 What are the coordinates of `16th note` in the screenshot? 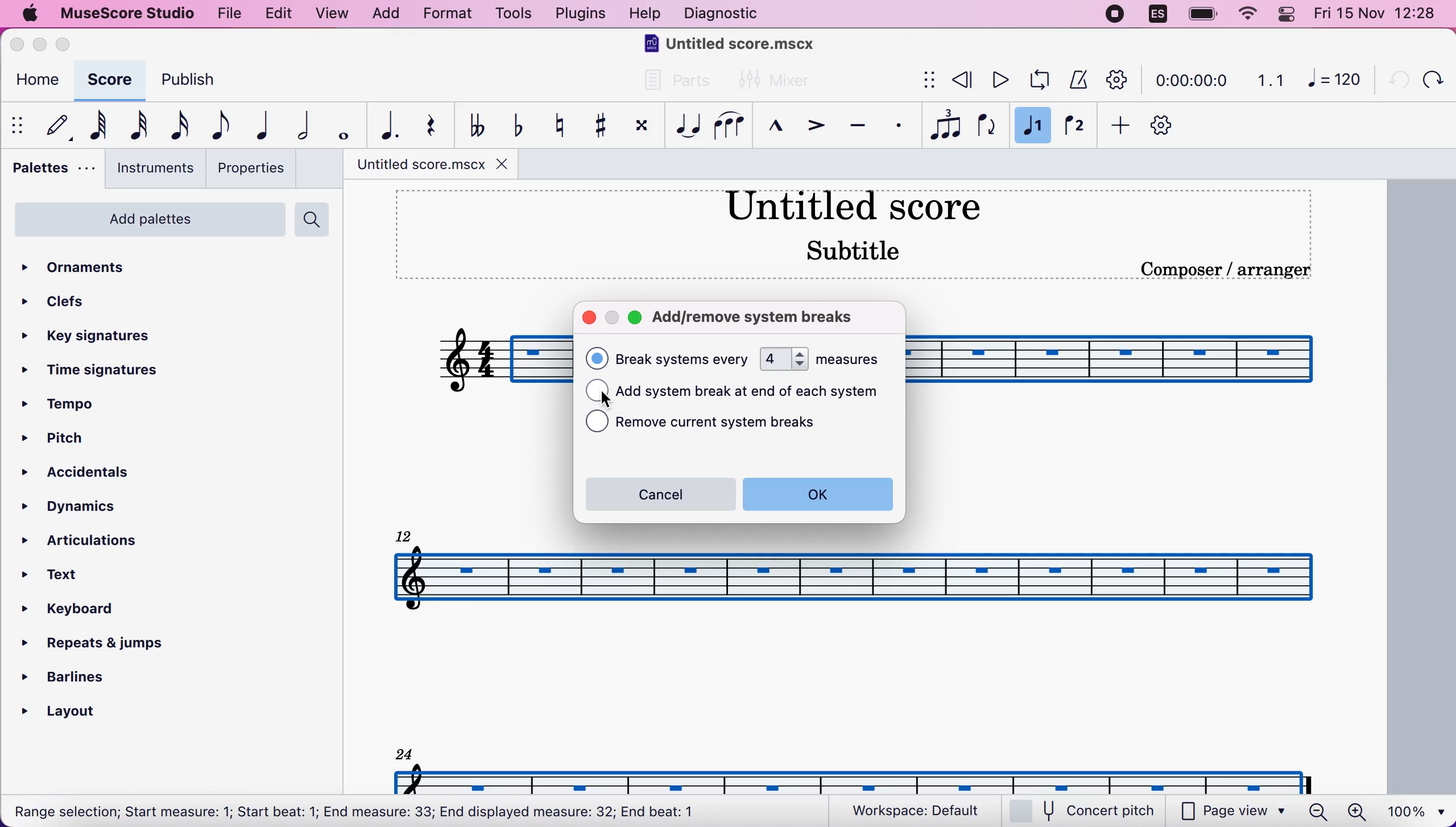 It's located at (177, 126).